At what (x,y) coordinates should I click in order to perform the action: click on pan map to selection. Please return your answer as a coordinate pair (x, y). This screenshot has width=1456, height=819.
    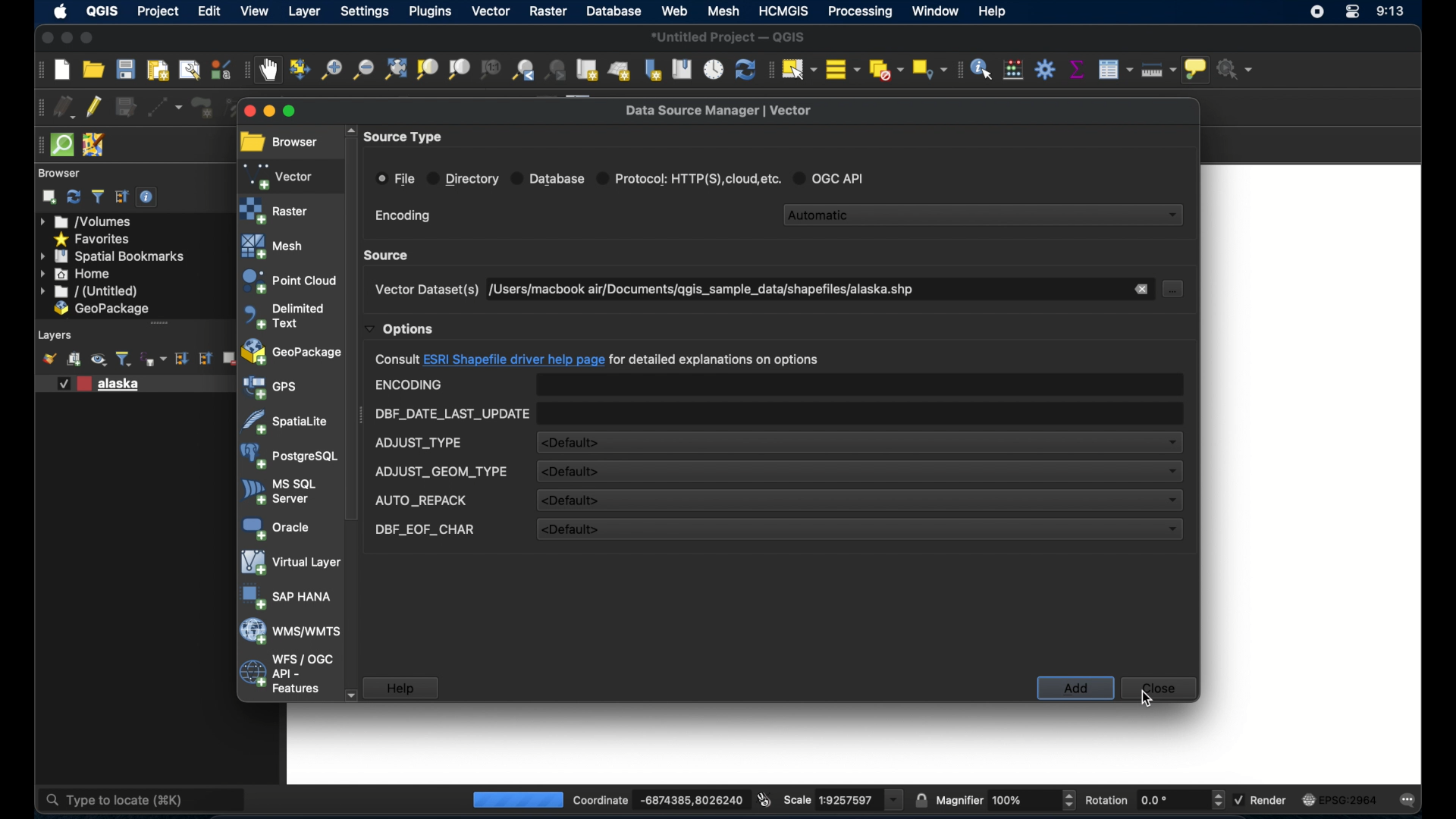
    Looking at the image, I should click on (300, 70).